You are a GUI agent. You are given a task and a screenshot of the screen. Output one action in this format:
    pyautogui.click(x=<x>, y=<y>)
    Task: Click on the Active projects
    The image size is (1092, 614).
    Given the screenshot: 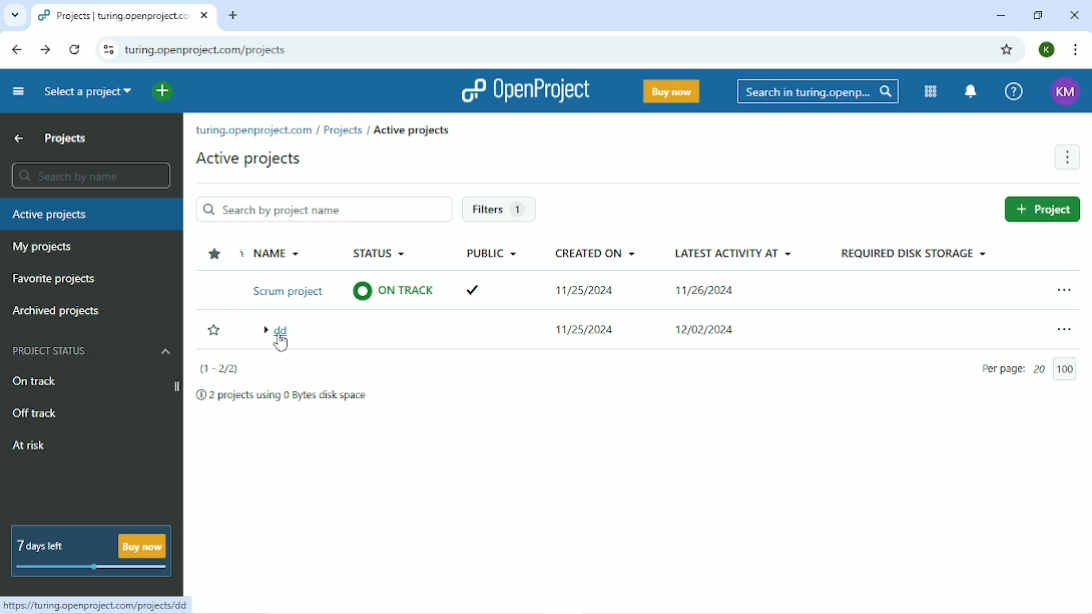 What is the action you would take?
    pyautogui.click(x=412, y=130)
    